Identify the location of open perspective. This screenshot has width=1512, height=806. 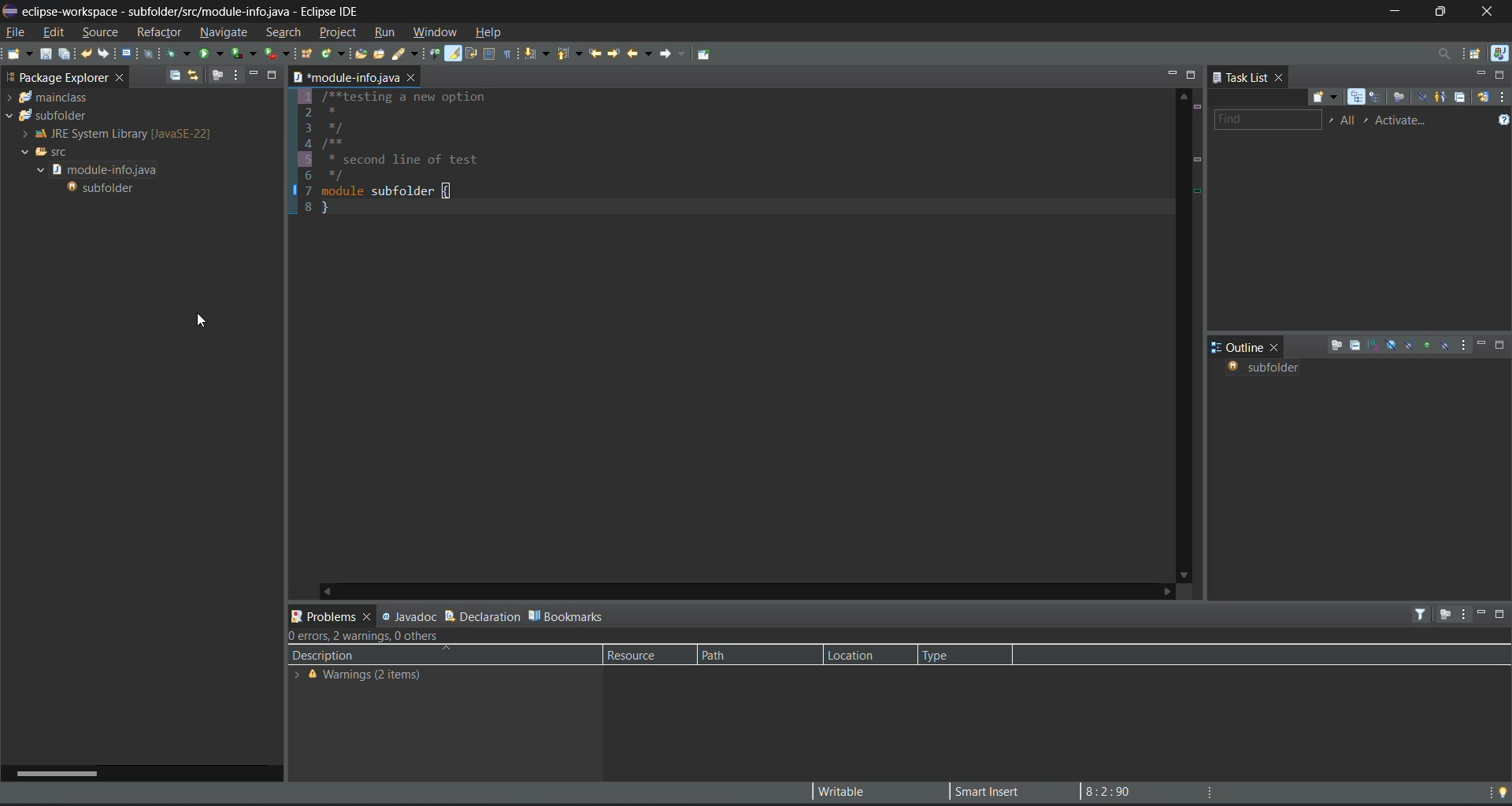
(1478, 55).